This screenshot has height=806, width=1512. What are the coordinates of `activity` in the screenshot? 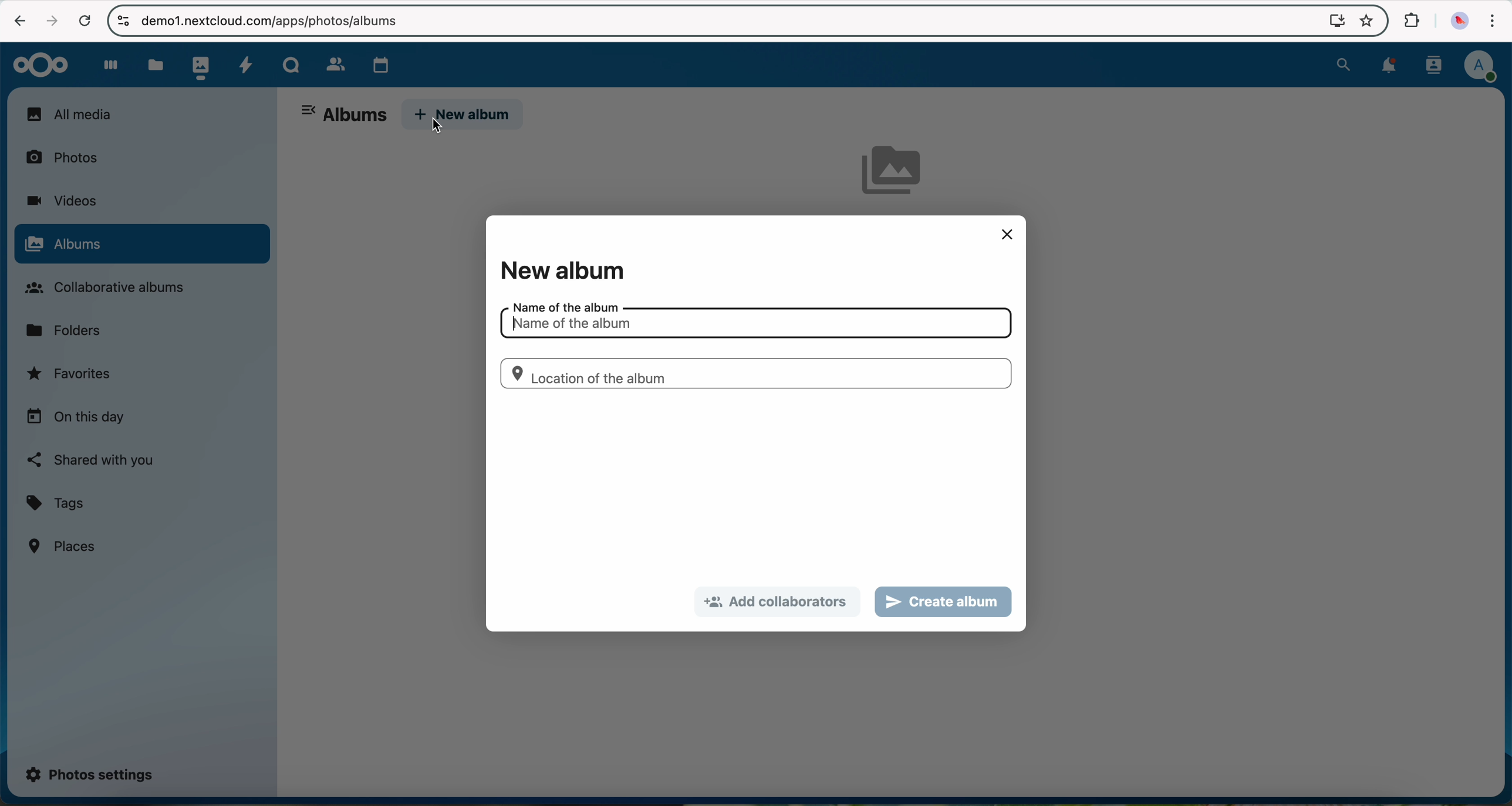 It's located at (245, 63).